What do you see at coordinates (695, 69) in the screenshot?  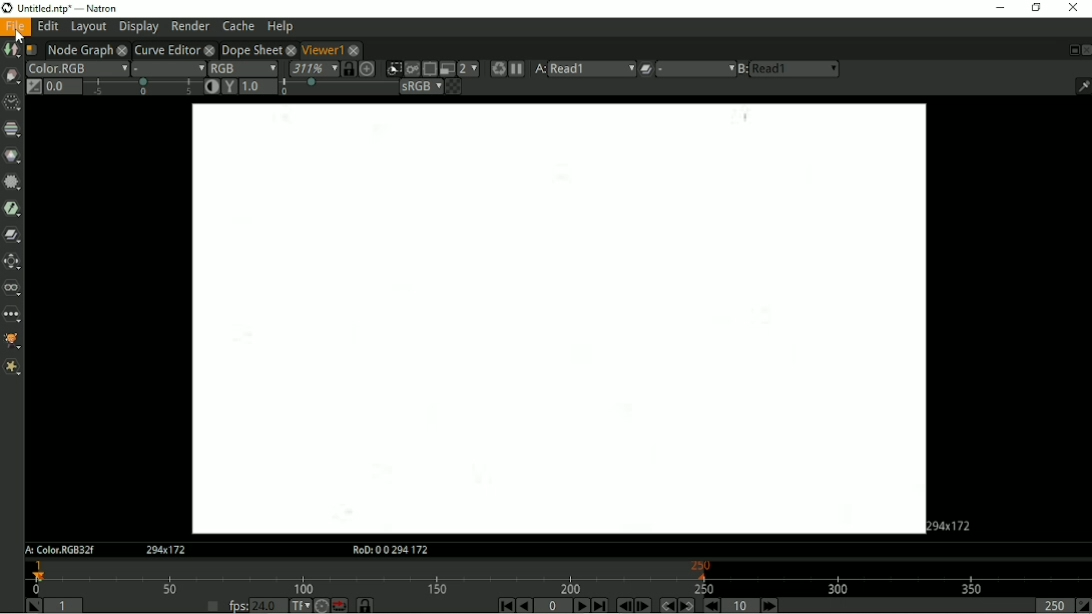 I see `menu` at bounding box center [695, 69].